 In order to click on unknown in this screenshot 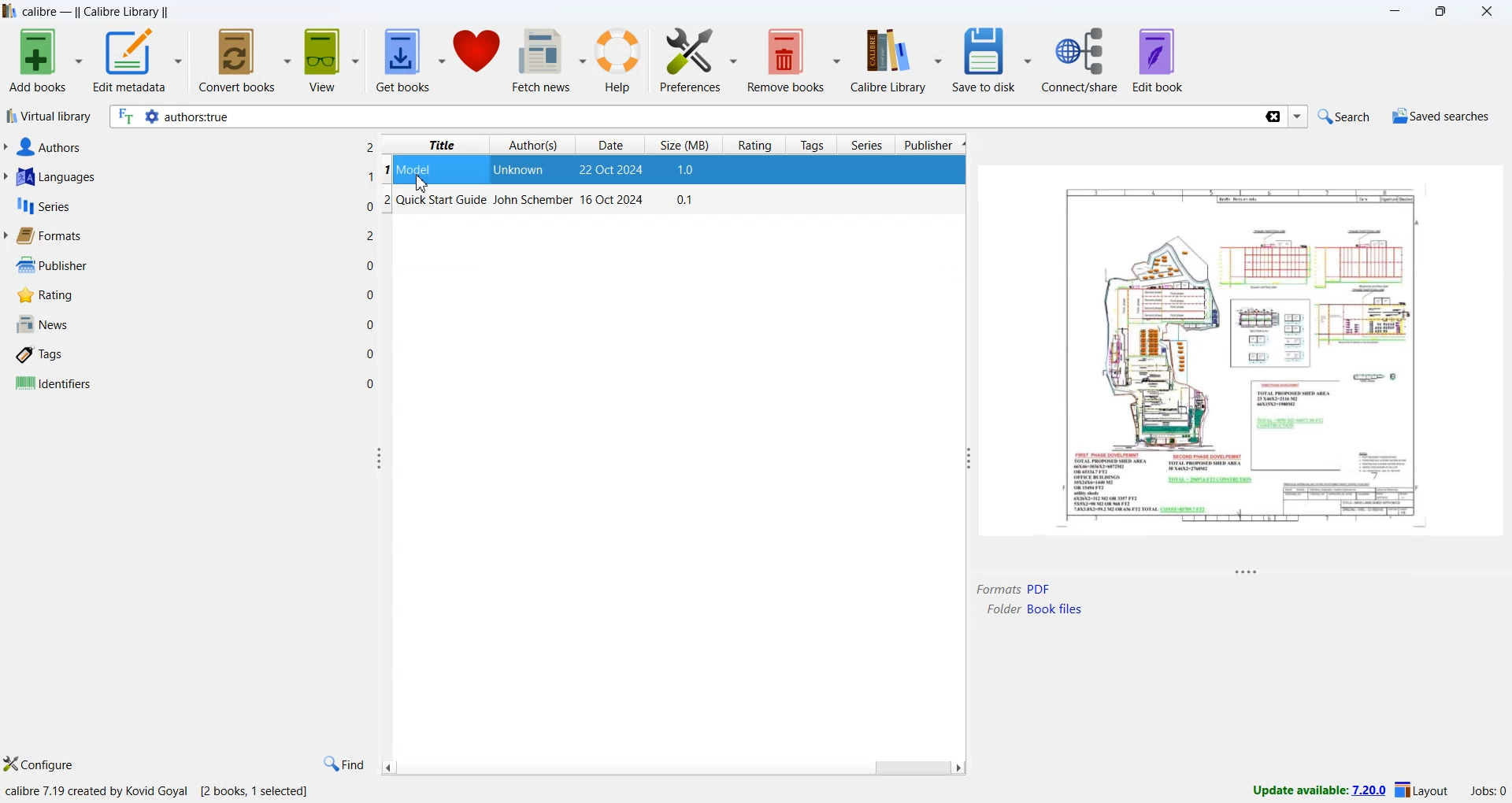, I will do `click(521, 171)`.